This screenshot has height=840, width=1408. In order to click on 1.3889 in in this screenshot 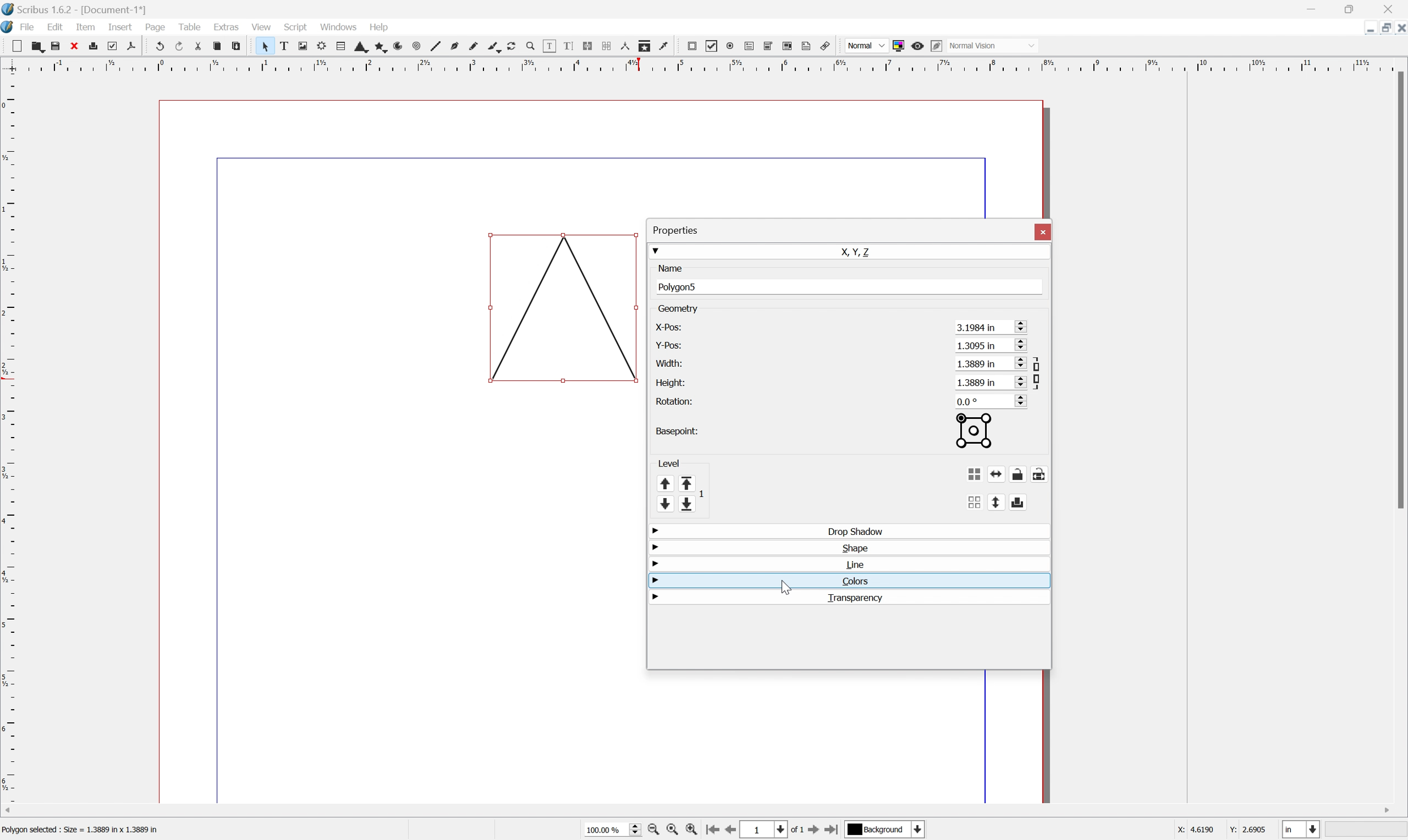, I will do `click(976, 363)`.